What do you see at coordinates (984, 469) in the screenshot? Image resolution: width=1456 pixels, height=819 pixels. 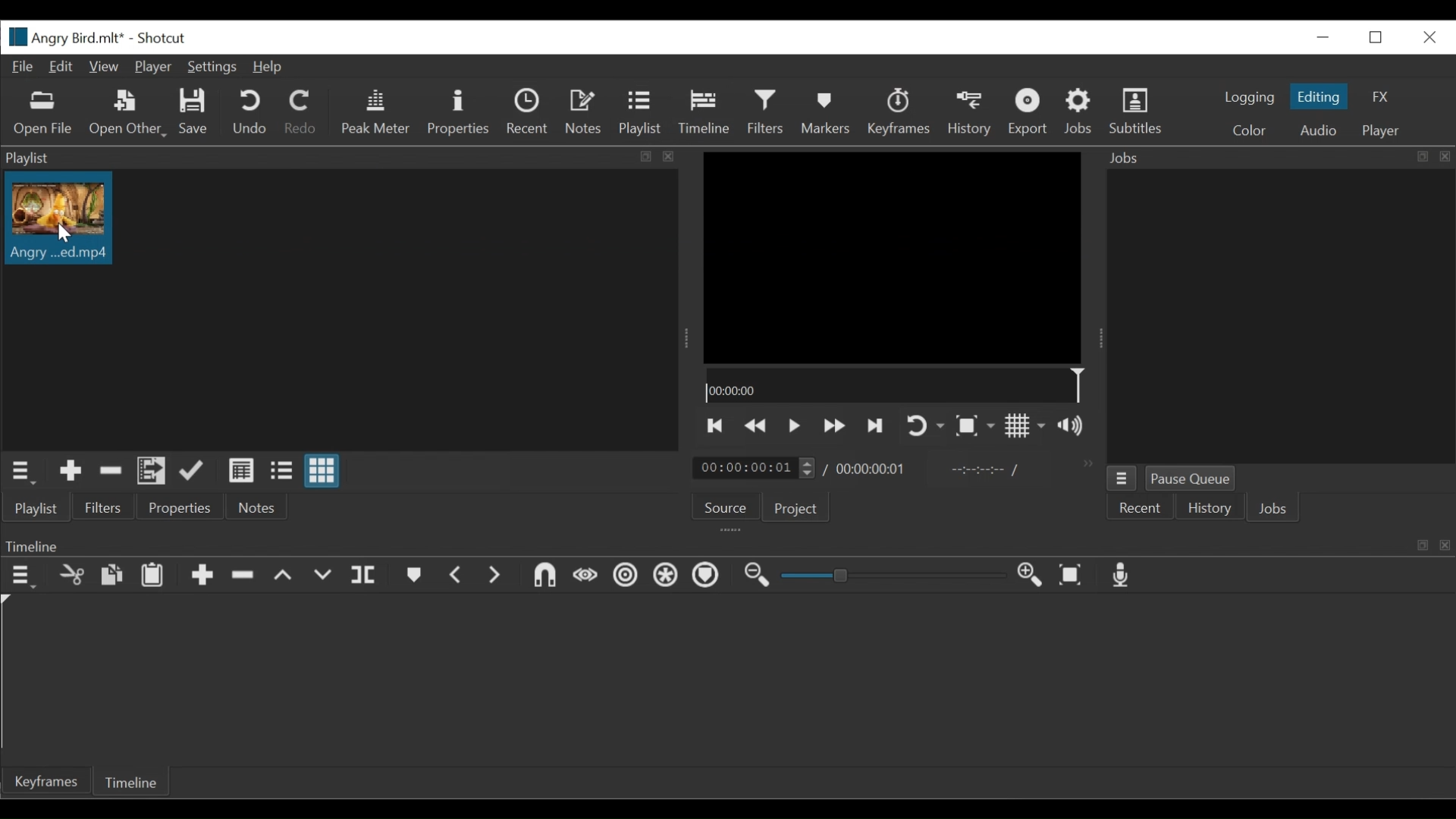 I see `In point` at bounding box center [984, 469].